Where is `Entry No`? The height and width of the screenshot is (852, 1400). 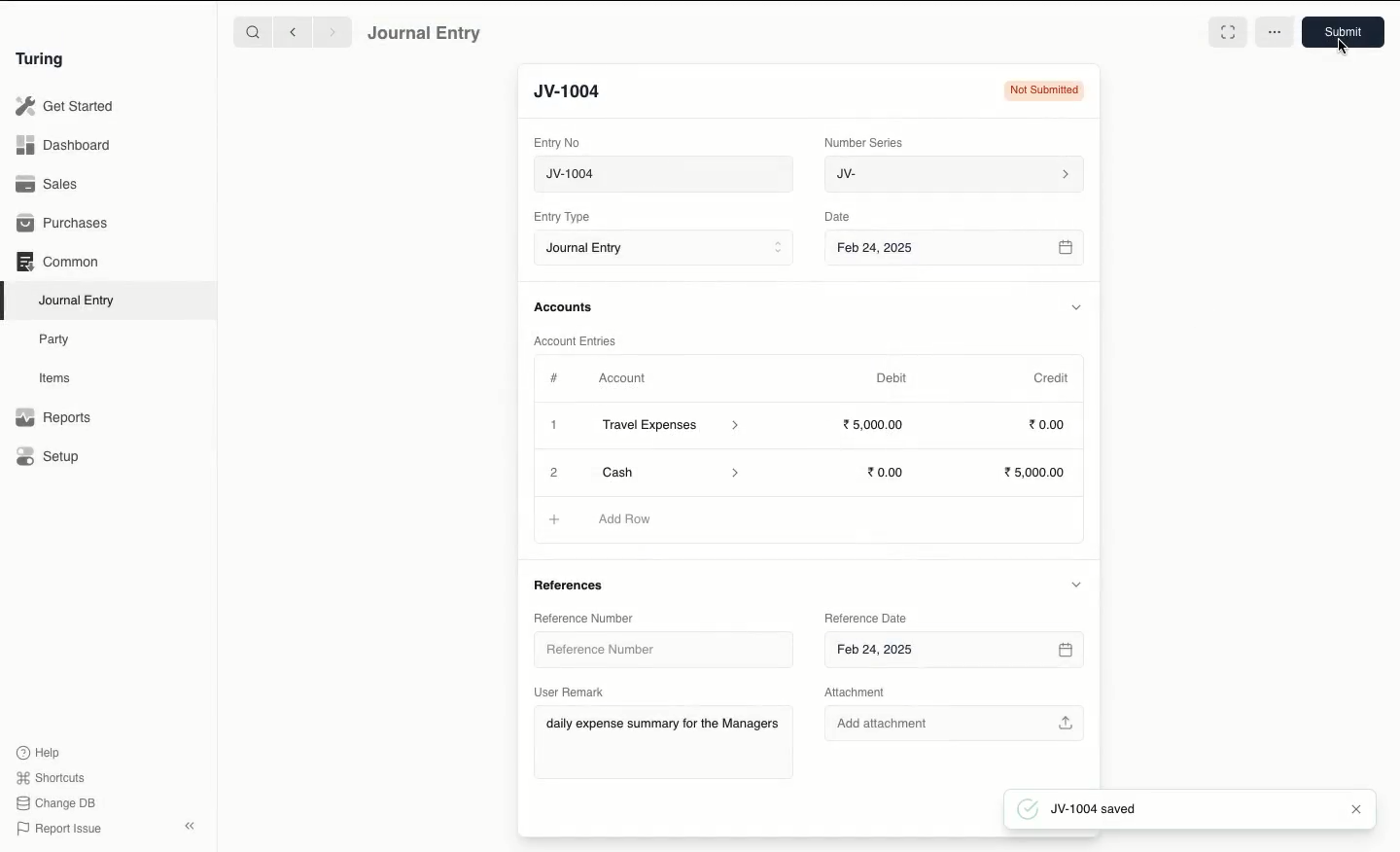 Entry No is located at coordinates (557, 143).